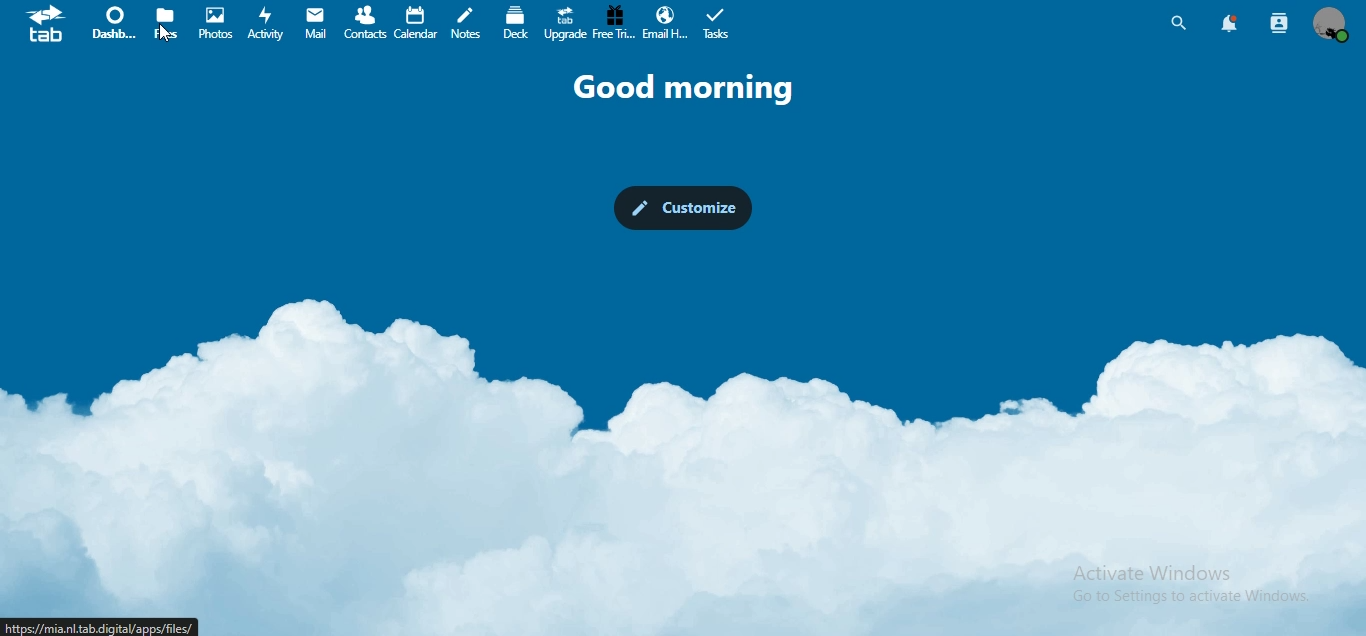 The width and height of the screenshot is (1366, 636). I want to click on free trial, so click(615, 23).